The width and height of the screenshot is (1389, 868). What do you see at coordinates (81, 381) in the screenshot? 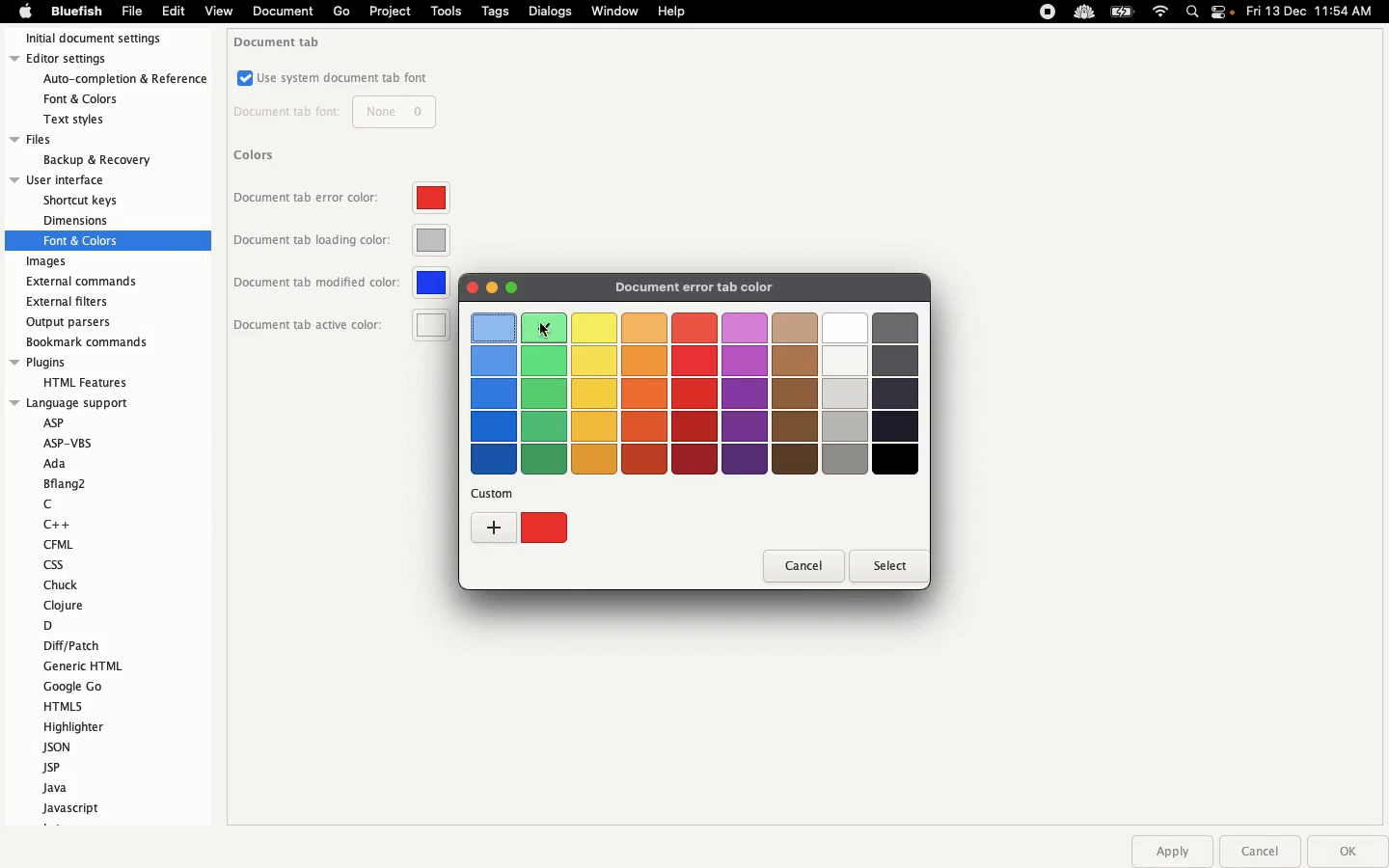
I see `HTML feature` at bounding box center [81, 381].